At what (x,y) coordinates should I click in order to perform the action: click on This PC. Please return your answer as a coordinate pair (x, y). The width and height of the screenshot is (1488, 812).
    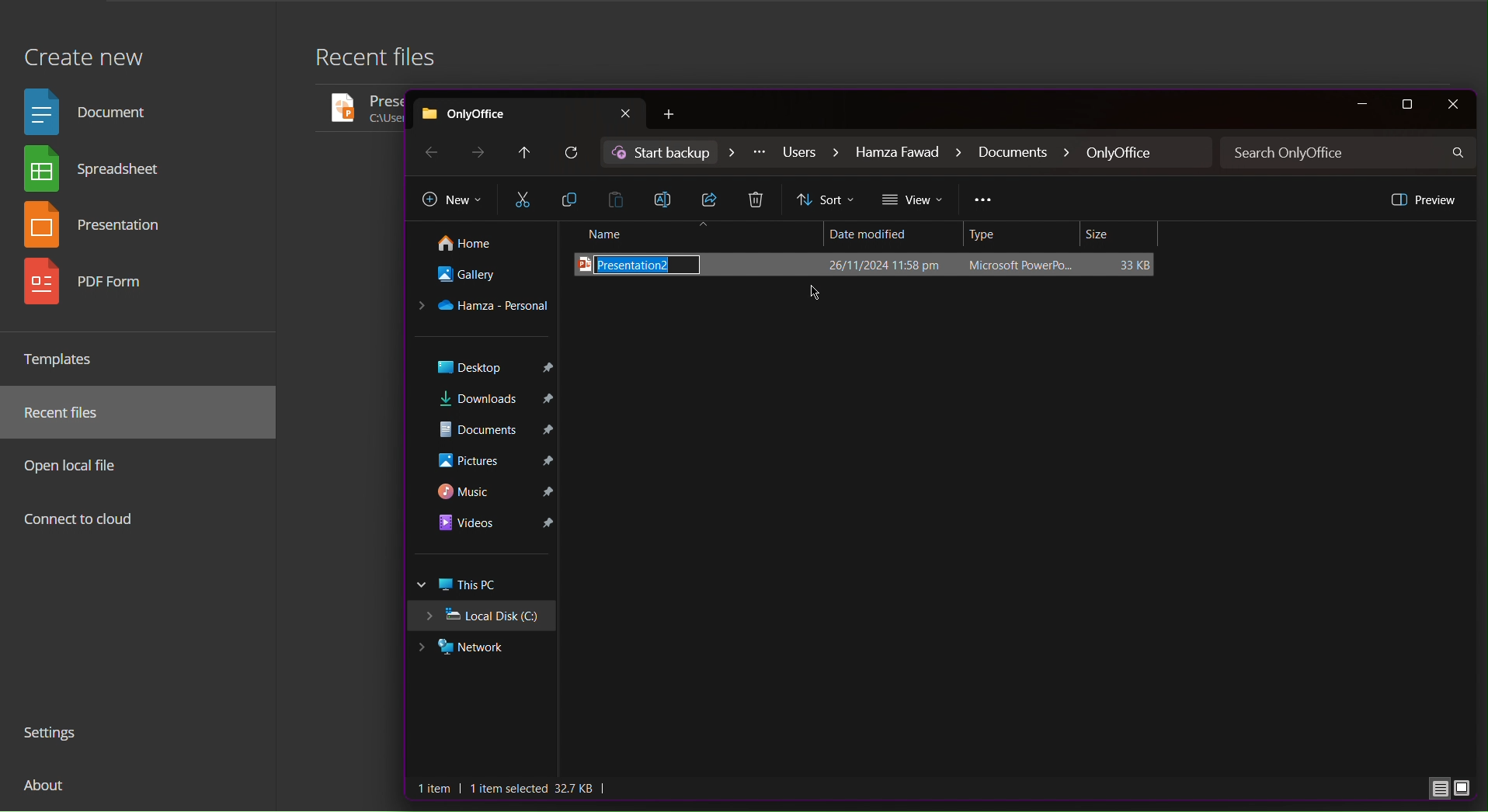
    Looking at the image, I should click on (485, 585).